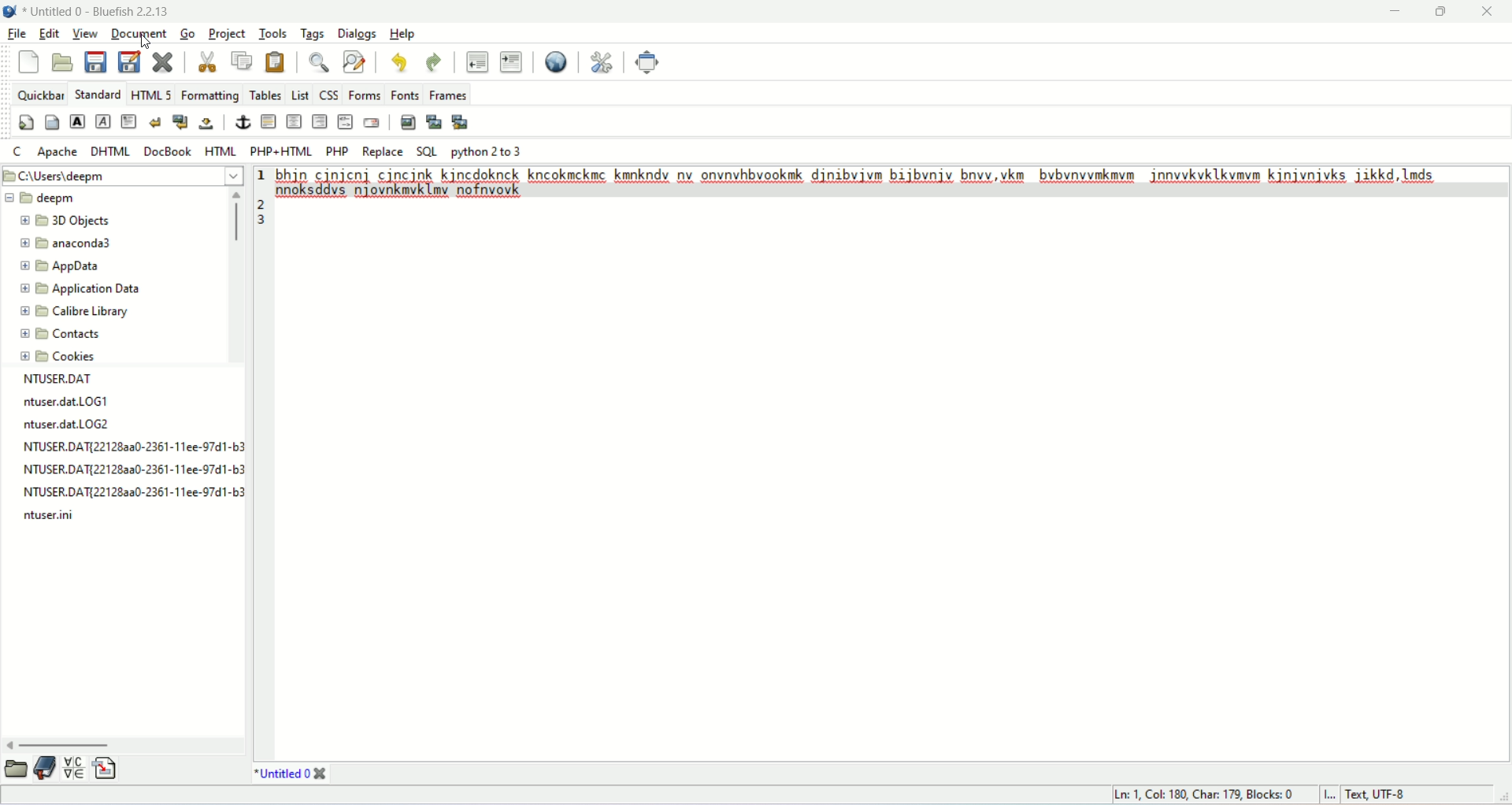 This screenshot has height=805, width=1512. I want to click on close, so click(1490, 10).